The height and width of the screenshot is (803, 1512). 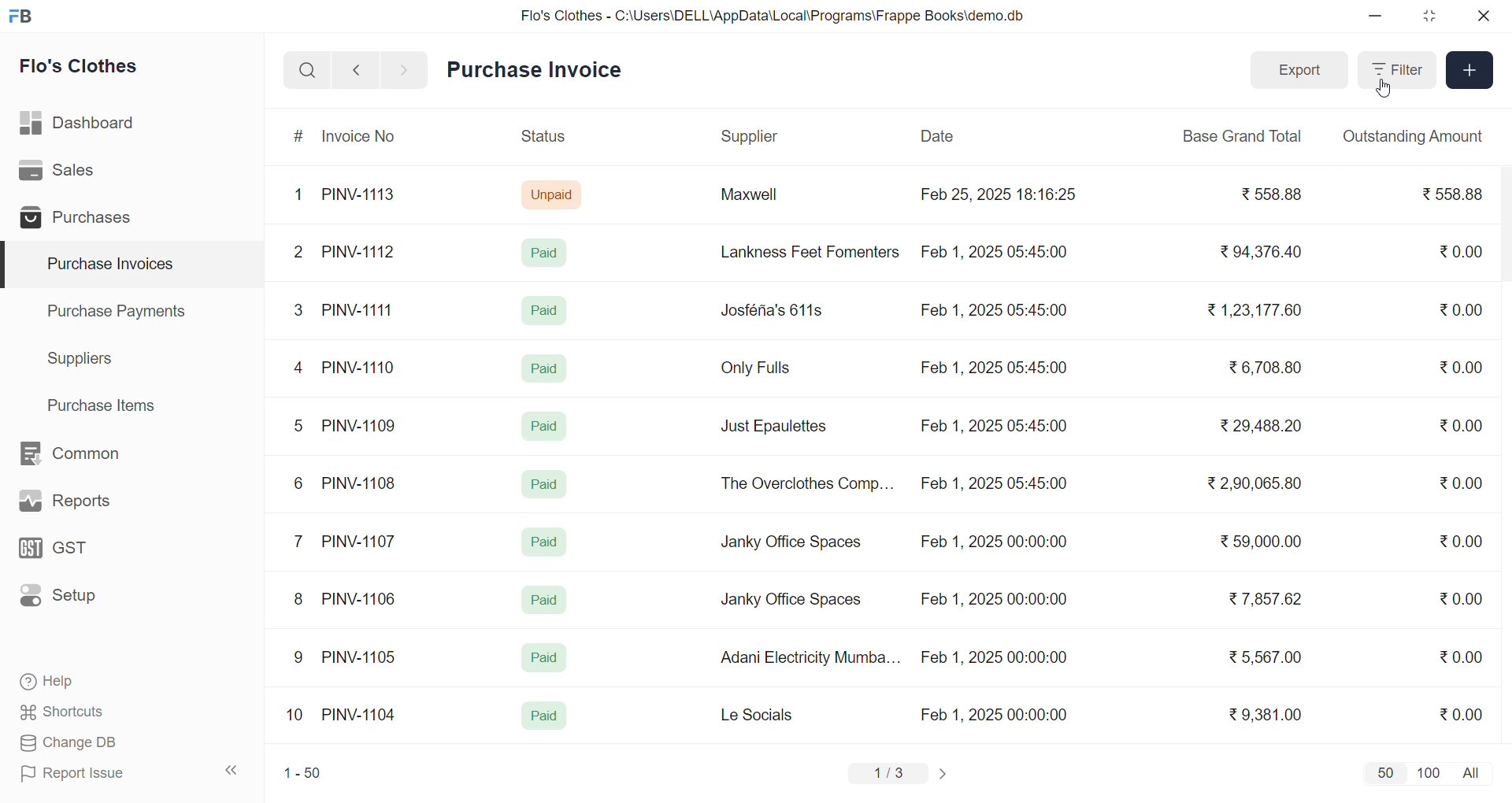 I want to click on navigate backward, so click(x=356, y=69).